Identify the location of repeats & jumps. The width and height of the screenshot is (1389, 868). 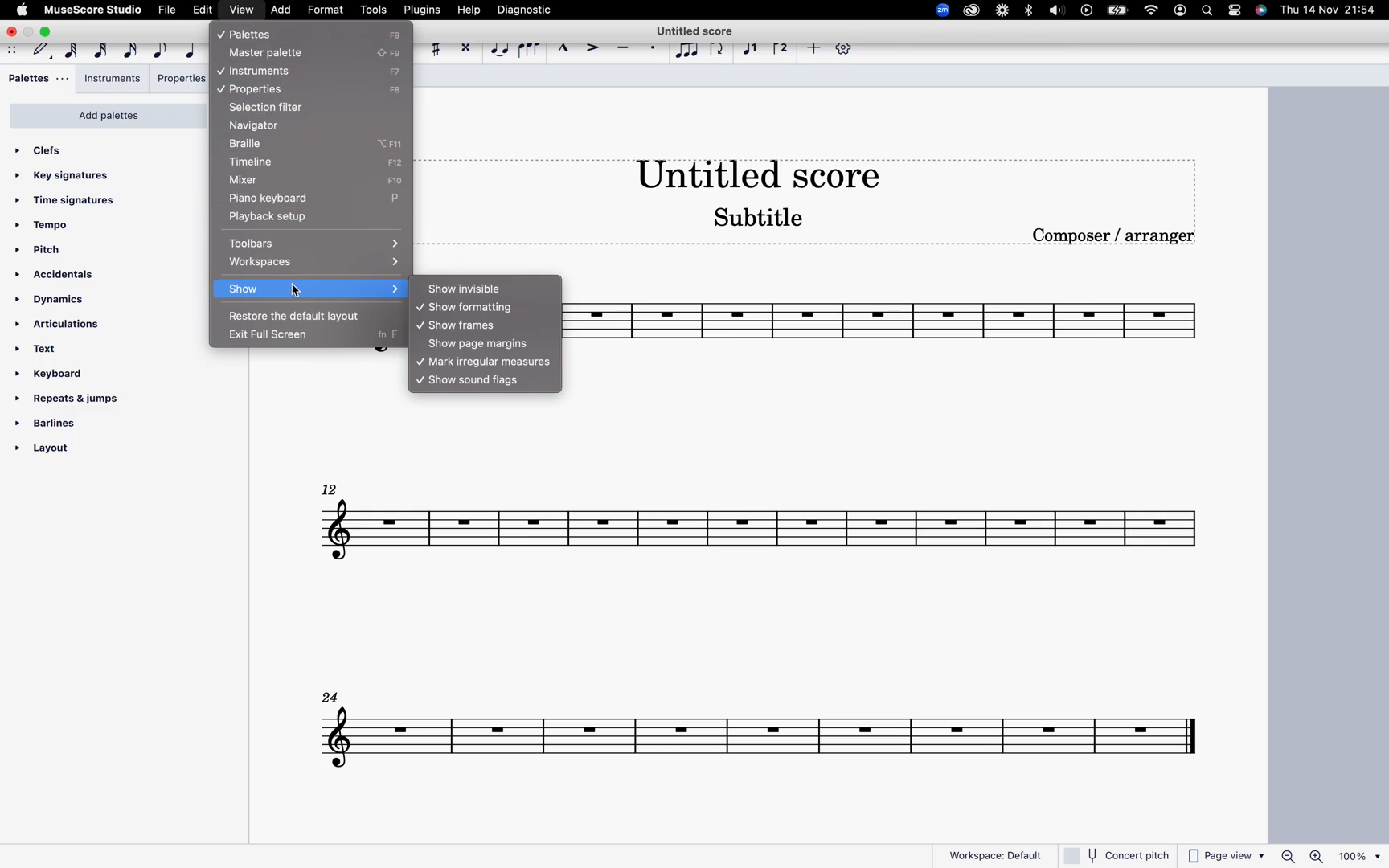
(73, 396).